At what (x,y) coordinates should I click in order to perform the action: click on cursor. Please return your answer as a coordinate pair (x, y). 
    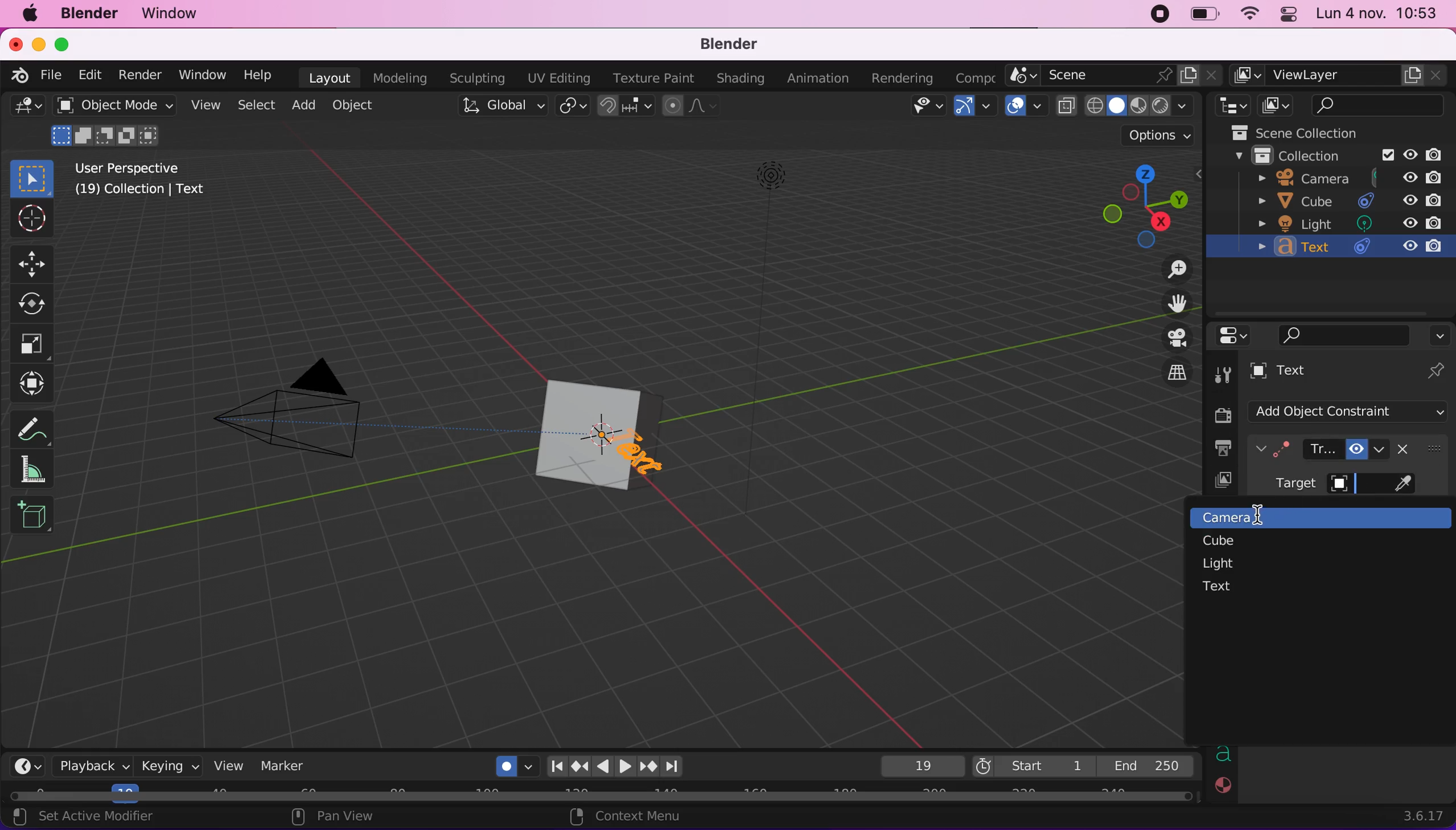
    Looking at the image, I should click on (1262, 515).